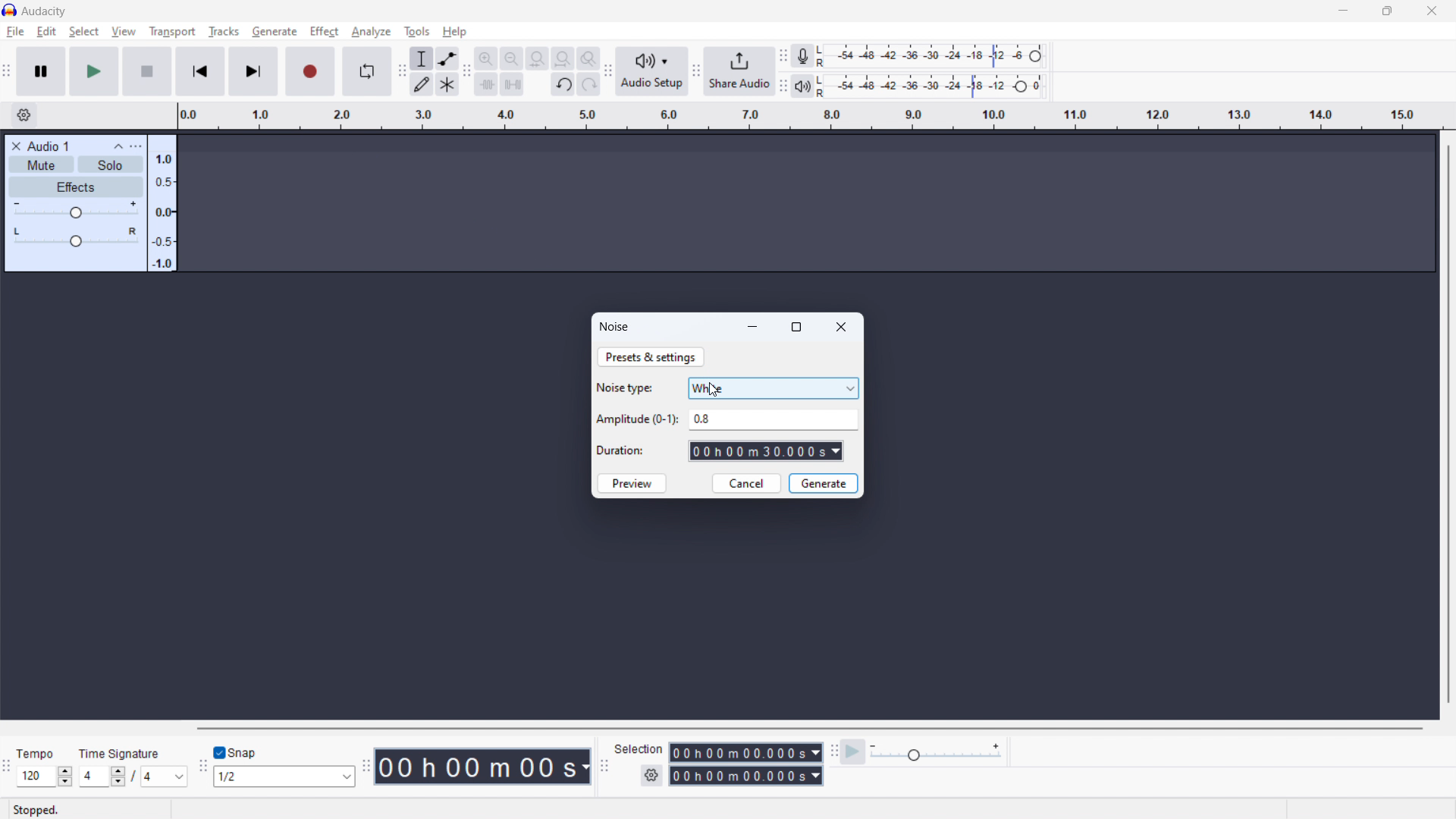  Describe the element at coordinates (49, 146) in the screenshot. I see `track title` at that location.